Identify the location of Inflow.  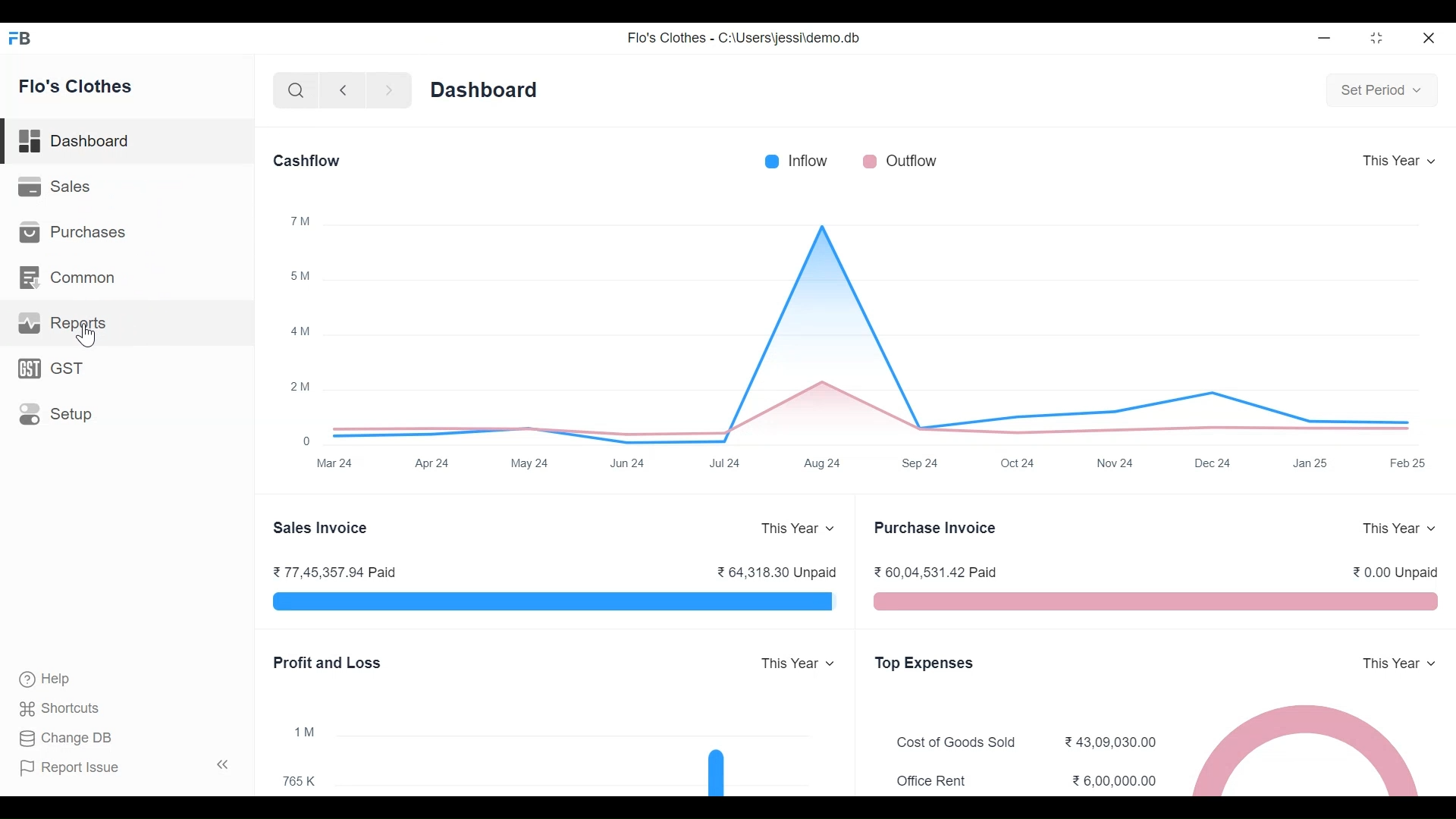
(810, 160).